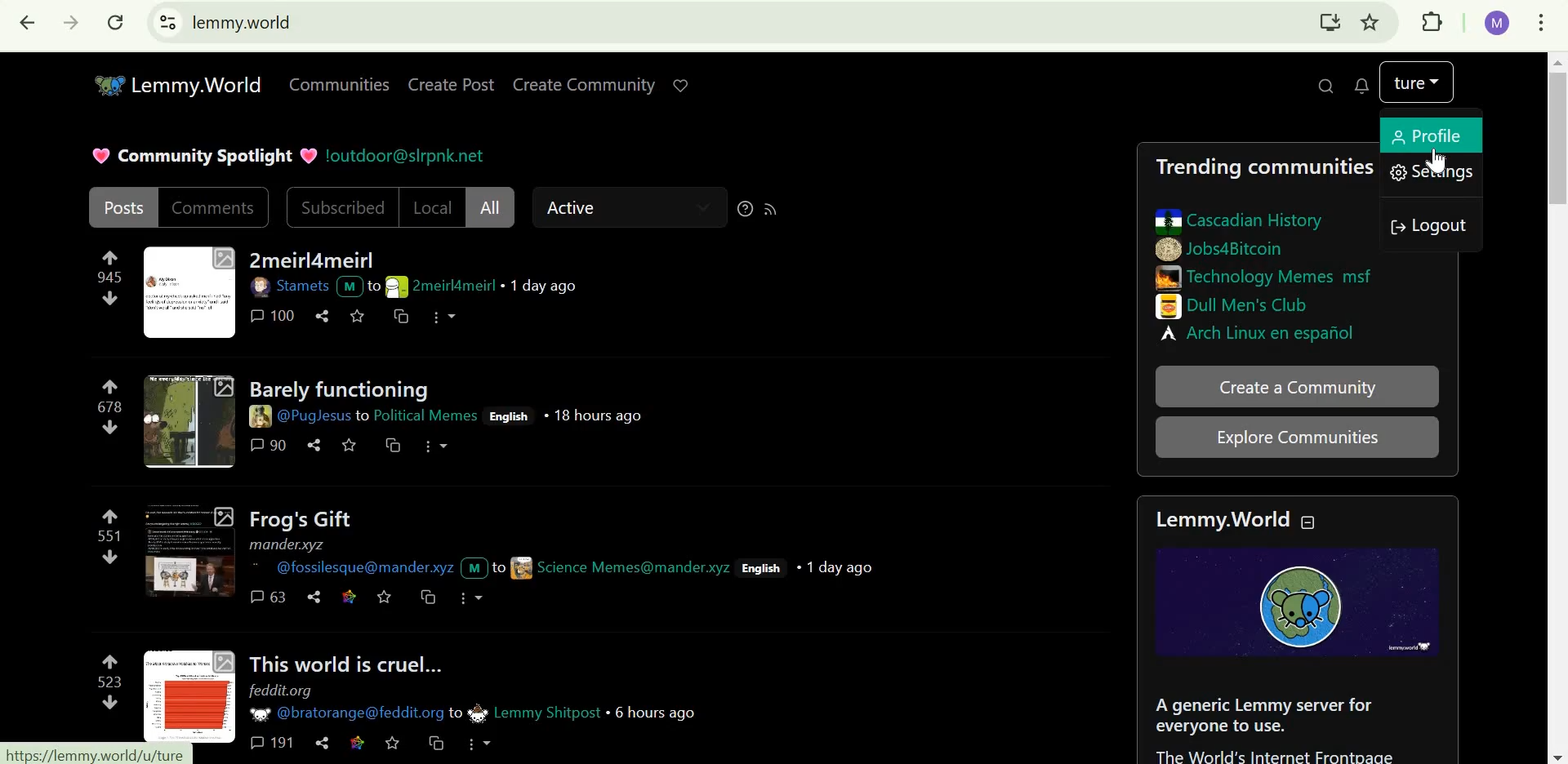 This screenshot has height=764, width=1568. What do you see at coordinates (360, 742) in the screenshot?
I see `link` at bounding box center [360, 742].